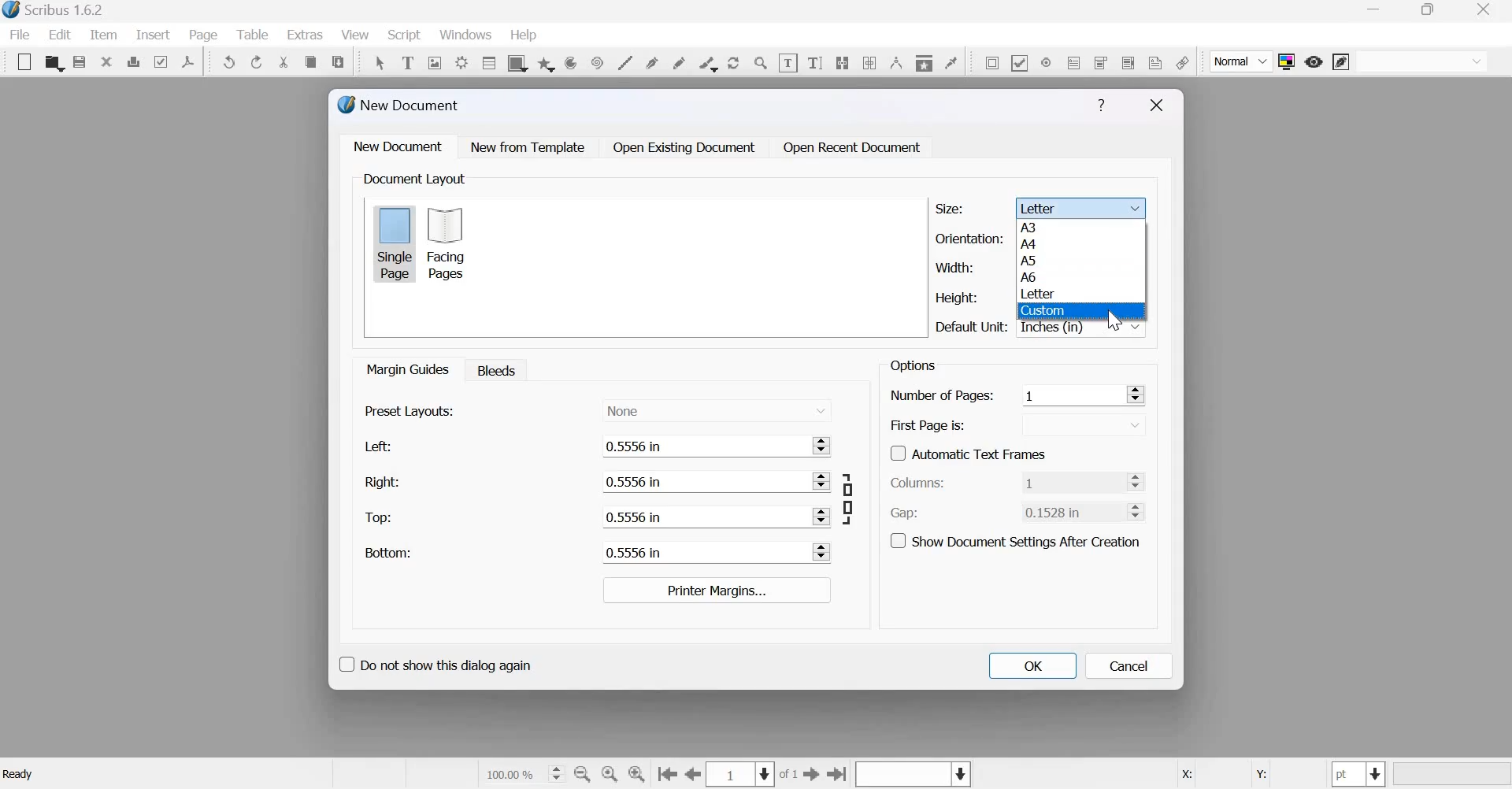  Describe the element at coordinates (815, 61) in the screenshot. I see `Edit text with story editor` at that location.